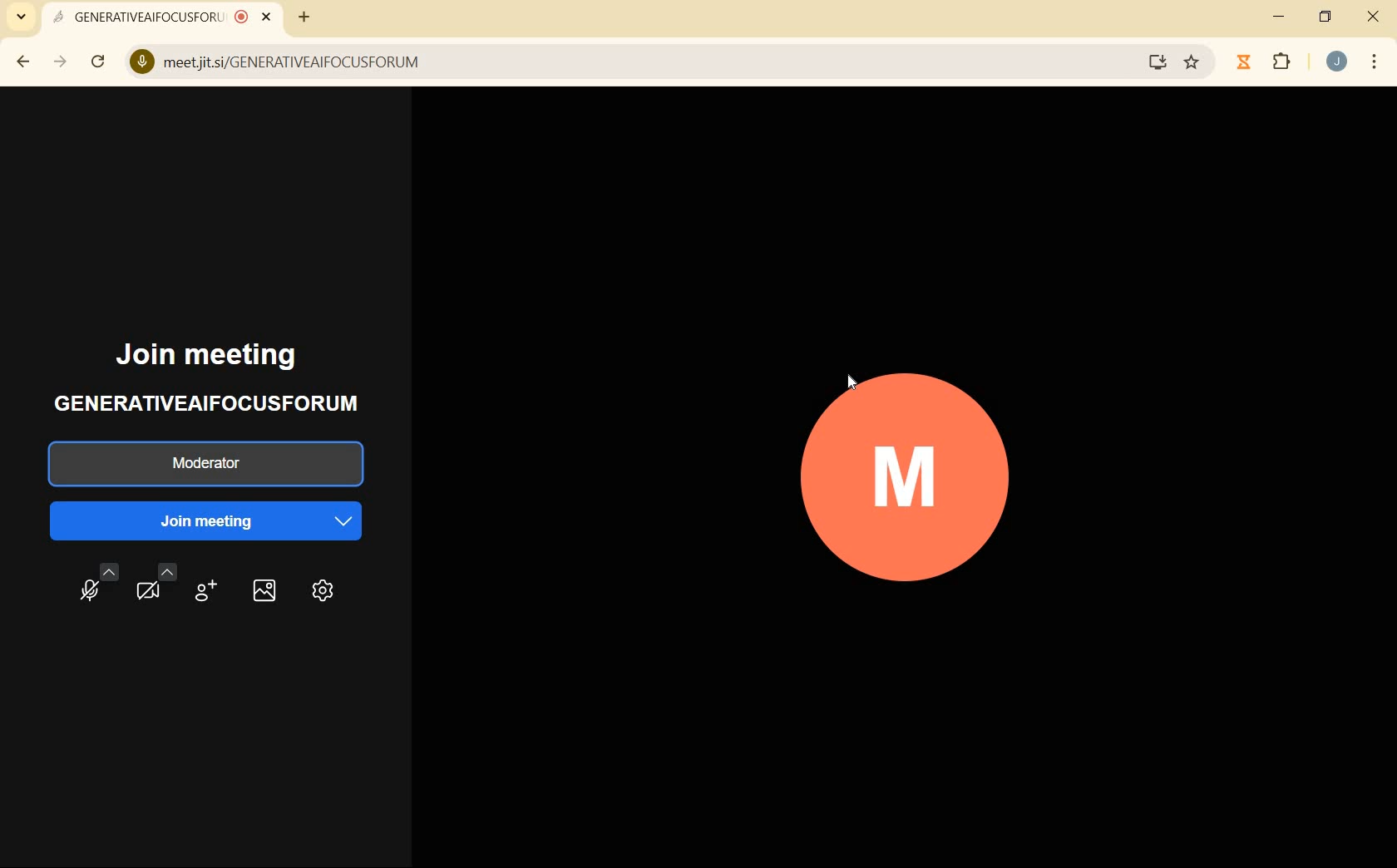 The height and width of the screenshot is (868, 1397). Describe the element at coordinates (1326, 21) in the screenshot. I see `RESTORE DOWN` at that location.